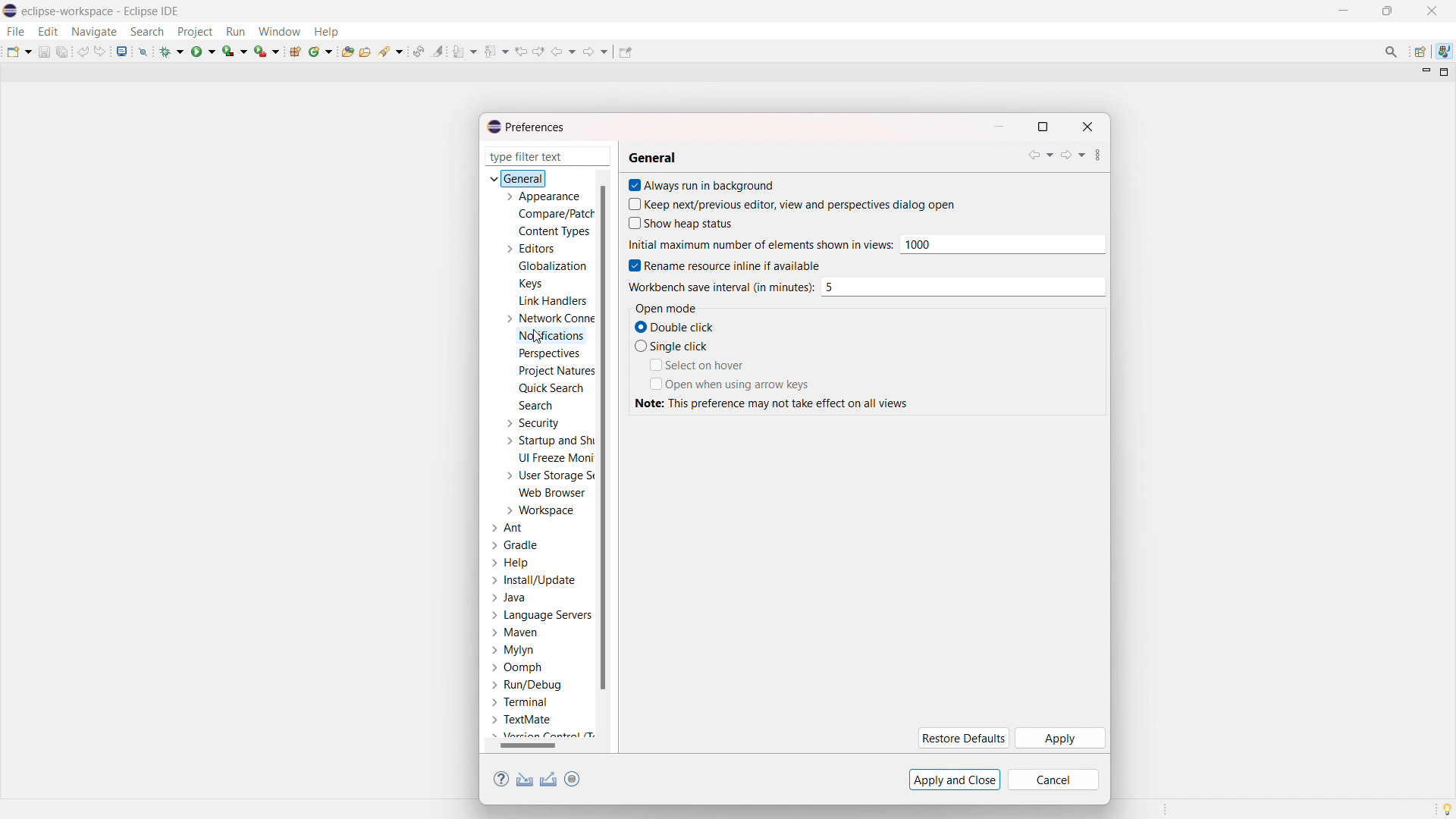 Image resolution: width=1456 pixels, height=819 pixels. What do you see at coordinates (572, 779) in the screenshot?
I see `toggle oomph preference recorder` at bounding box center [572, 779].